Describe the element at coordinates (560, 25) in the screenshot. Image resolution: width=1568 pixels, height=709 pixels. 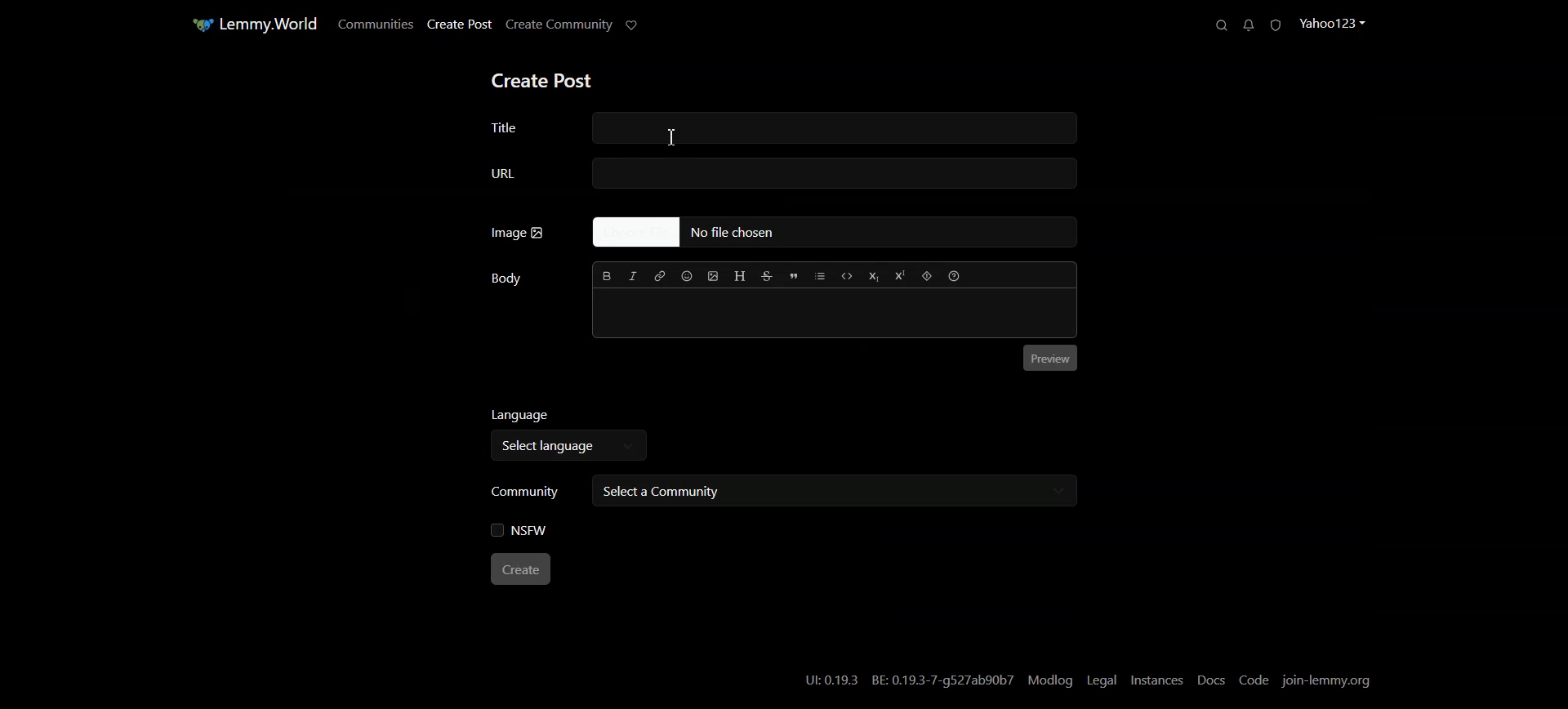
I see `Create Community` at that location.